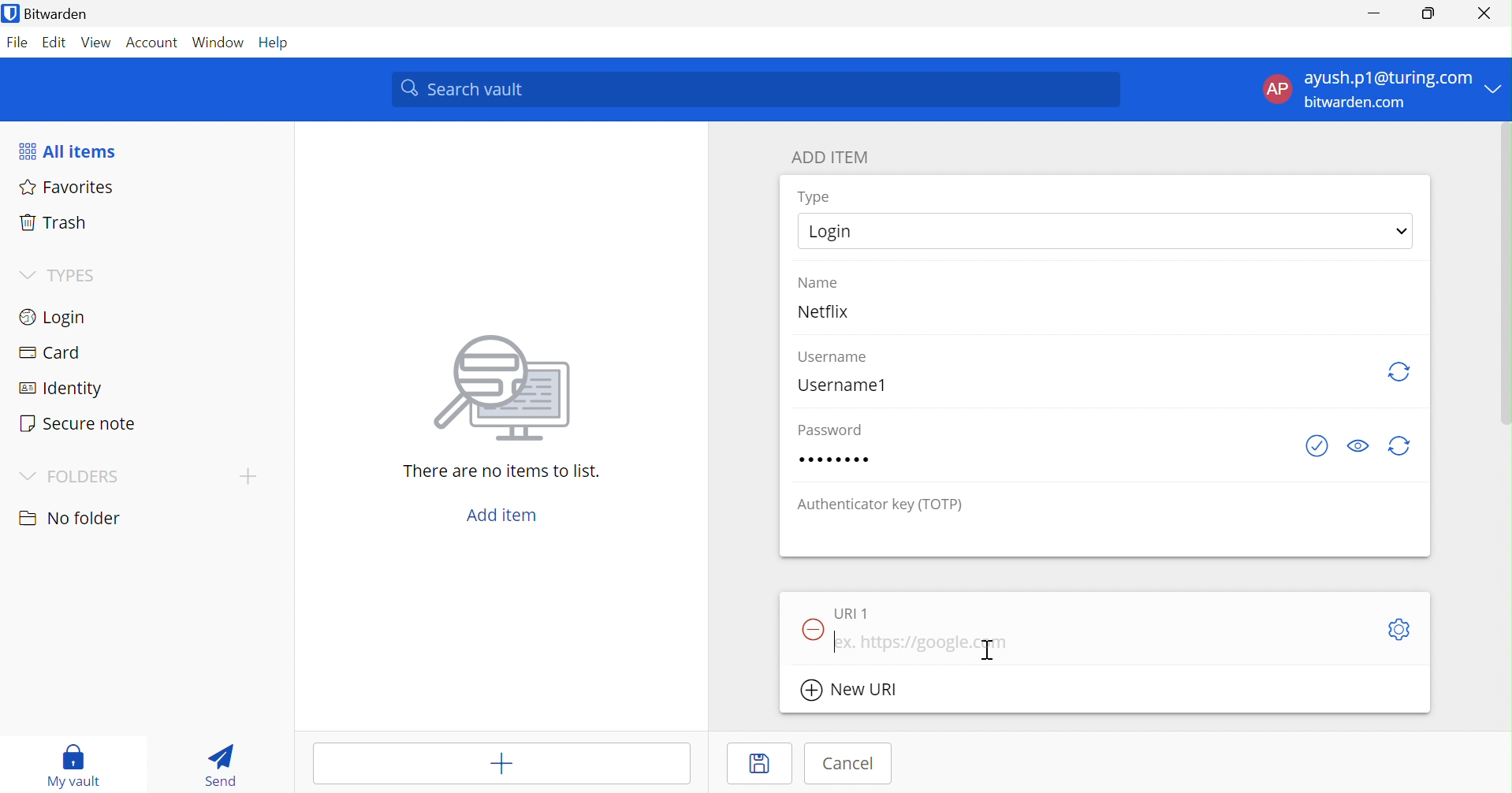  What do you see at coordinates (68, 149) in the screenshot?
I see `All items` at bounding box center [68, 149].